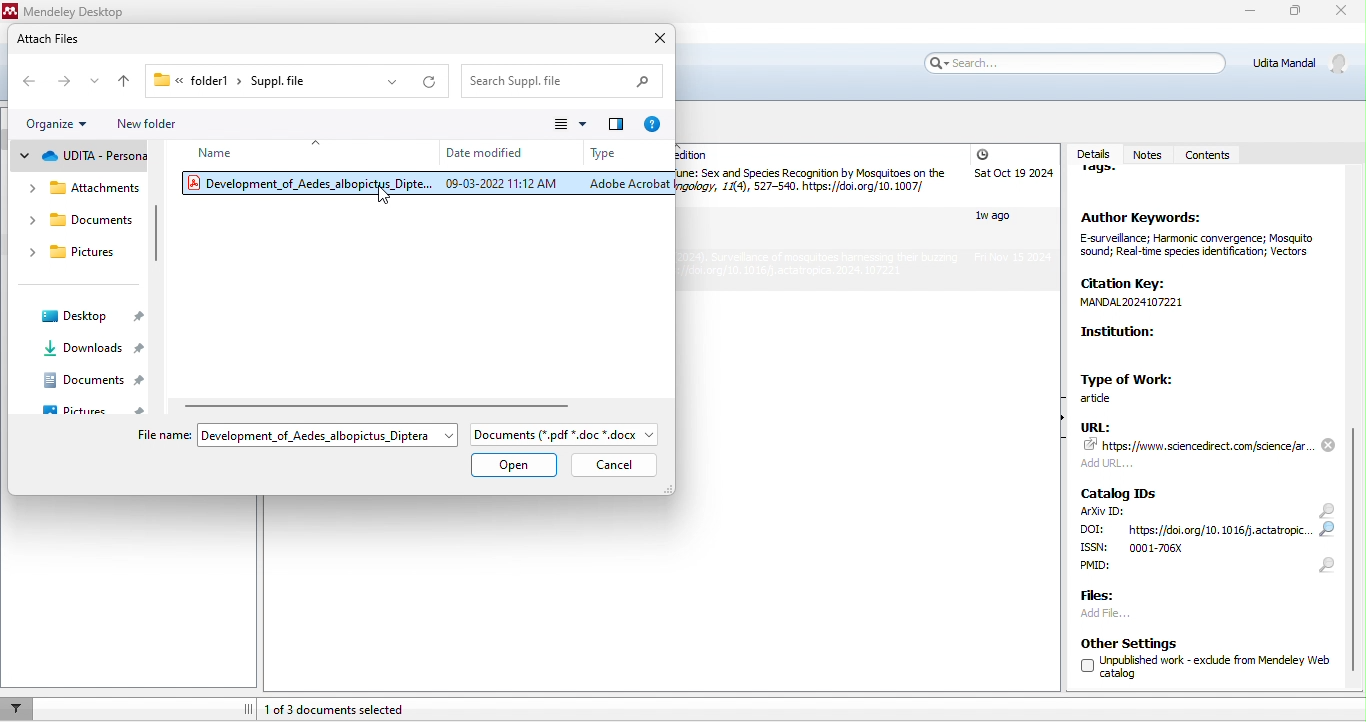 The image size is (1366, 722). Describe the element at coordinates (429, 83) in the screenshot. I see `refresh` at that location.